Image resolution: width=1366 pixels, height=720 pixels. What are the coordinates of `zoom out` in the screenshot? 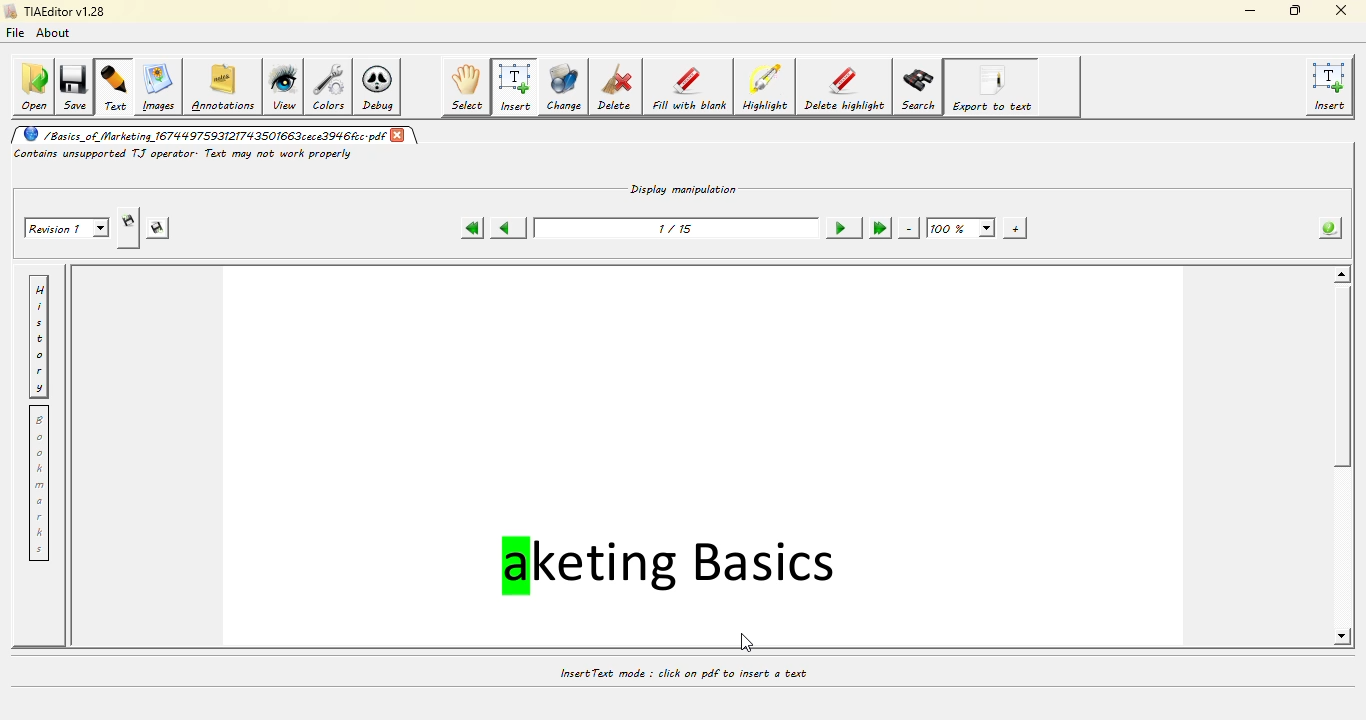 It's located at (909, 228).